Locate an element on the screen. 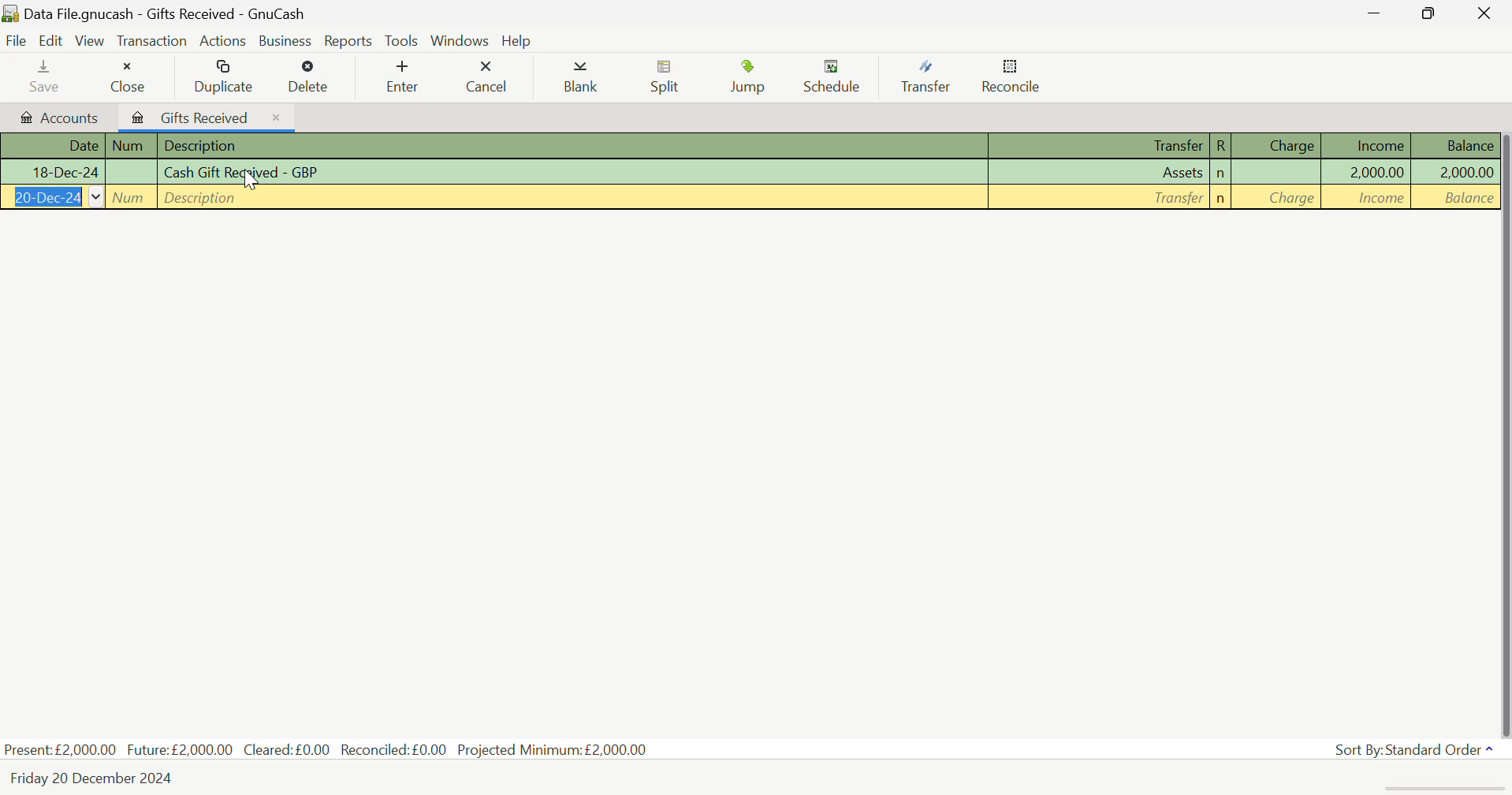 The height and width of the screenshot is (795, 1512). Future is located at coordinates (181, 748).